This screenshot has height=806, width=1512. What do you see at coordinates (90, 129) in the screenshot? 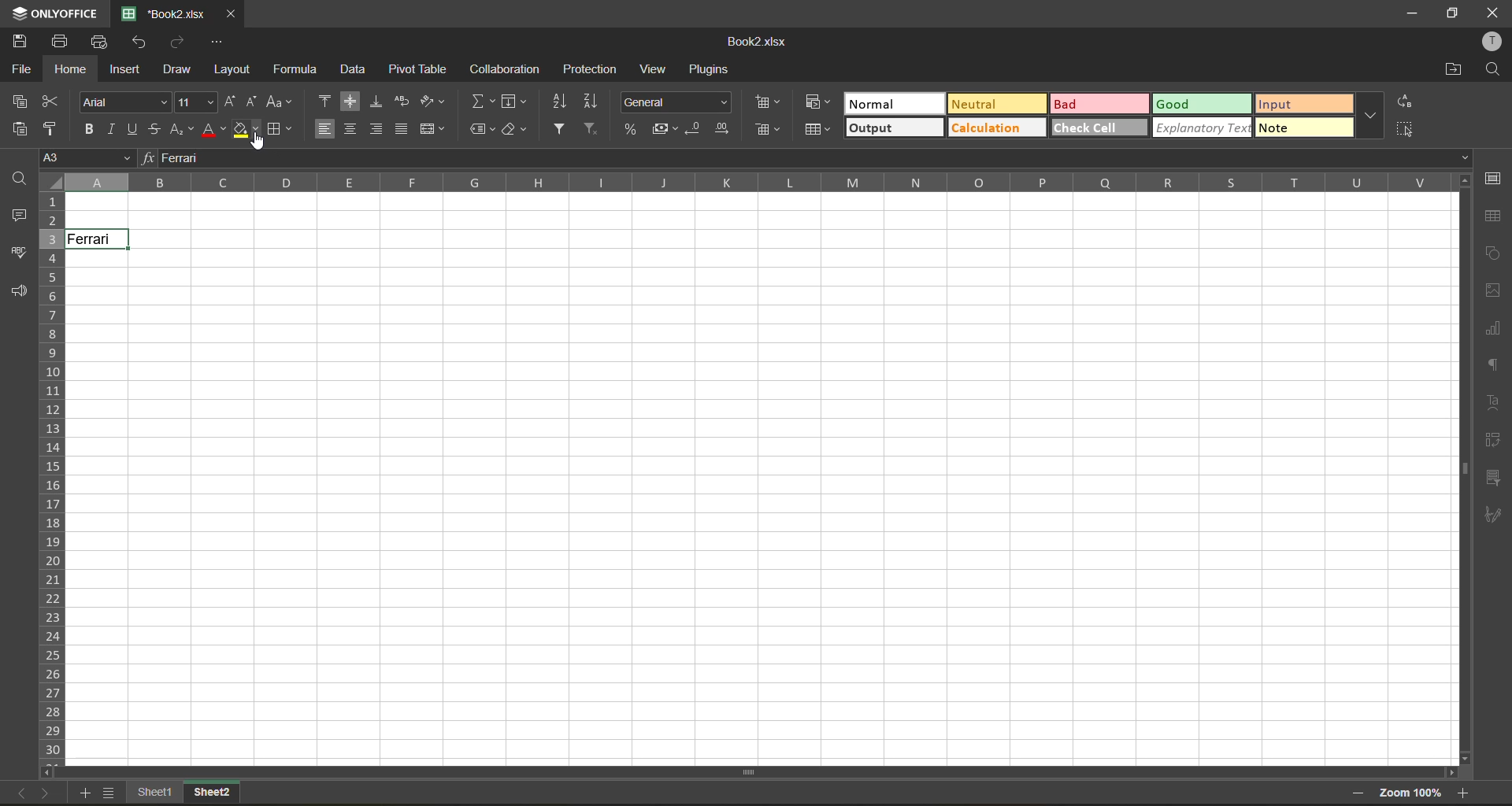
I see `bold` at bounding box center [90, 129].